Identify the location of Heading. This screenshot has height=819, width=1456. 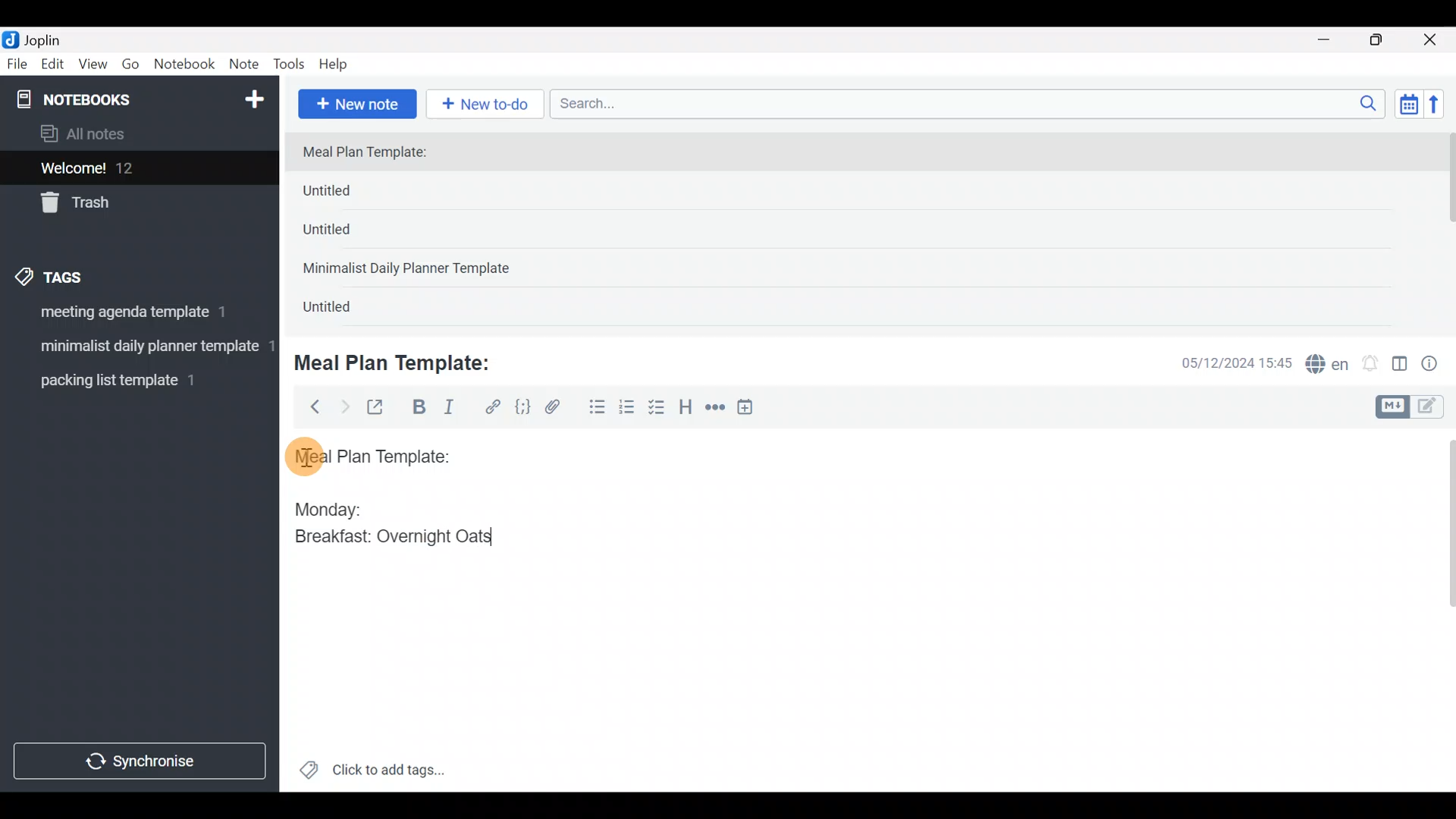
(686, 409).